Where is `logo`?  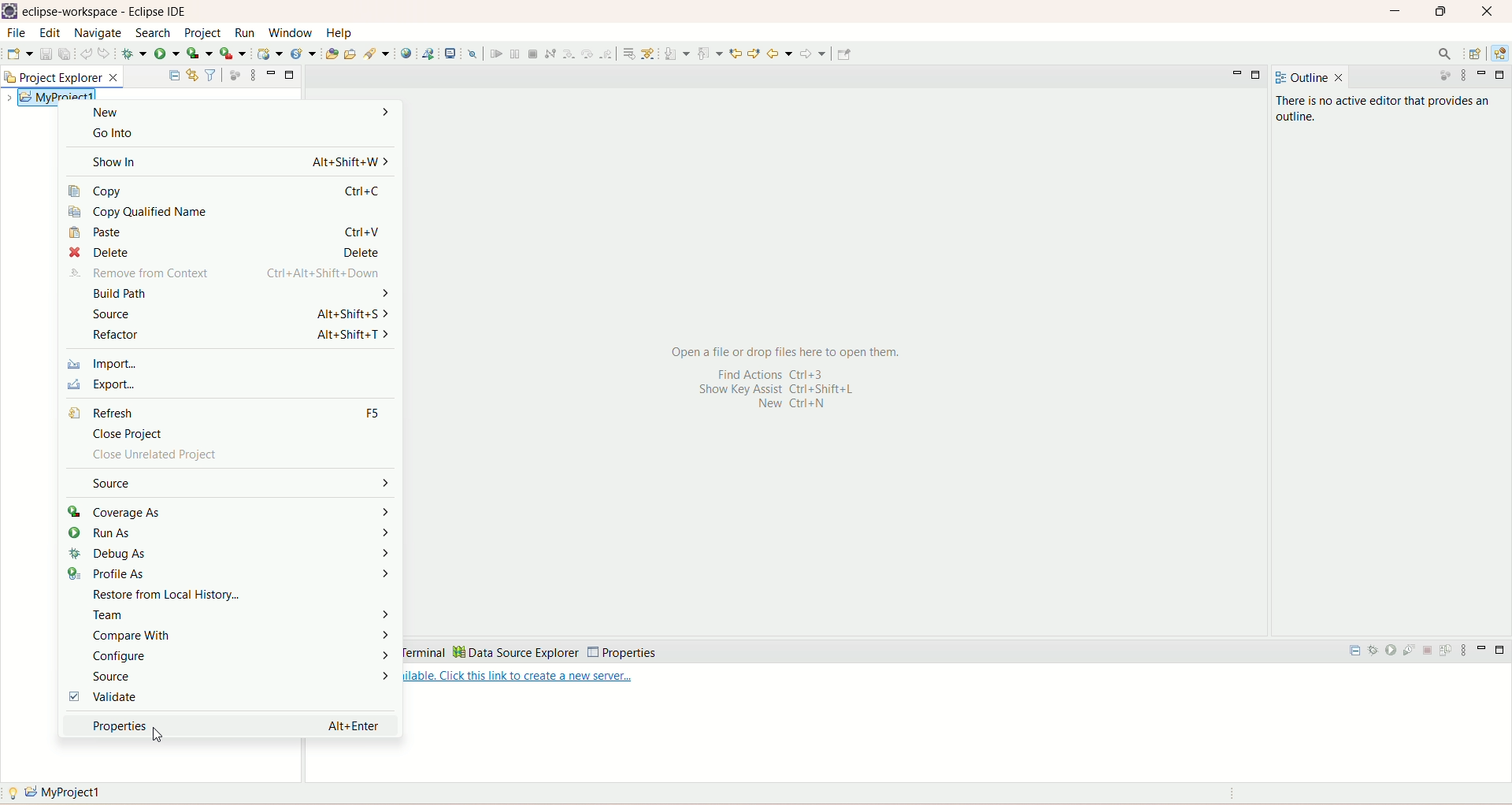 logo is located at coordinates (11, 11).